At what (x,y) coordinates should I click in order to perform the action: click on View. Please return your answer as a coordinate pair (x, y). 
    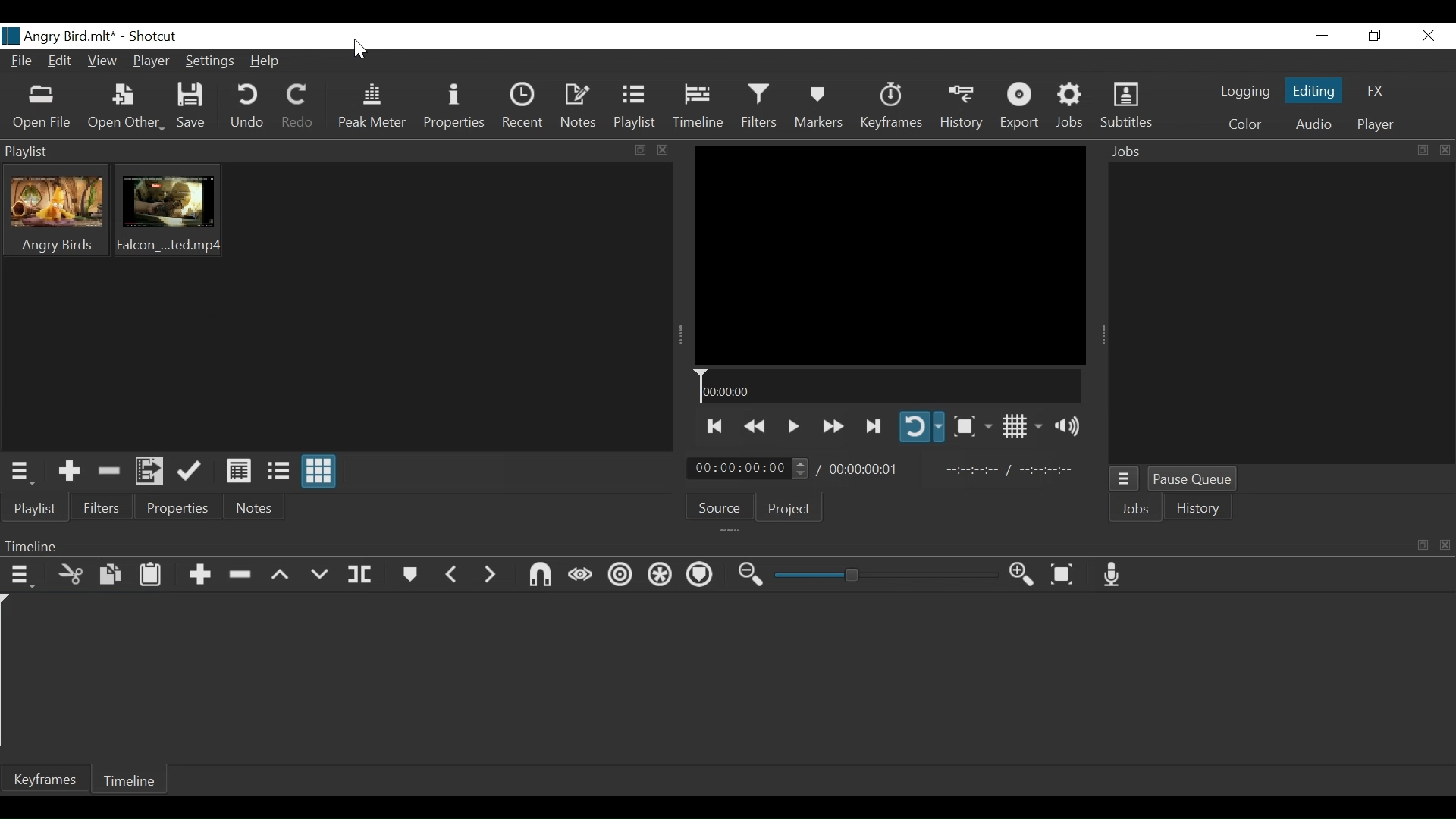
    Looking at the image, I should click on (102, 61).